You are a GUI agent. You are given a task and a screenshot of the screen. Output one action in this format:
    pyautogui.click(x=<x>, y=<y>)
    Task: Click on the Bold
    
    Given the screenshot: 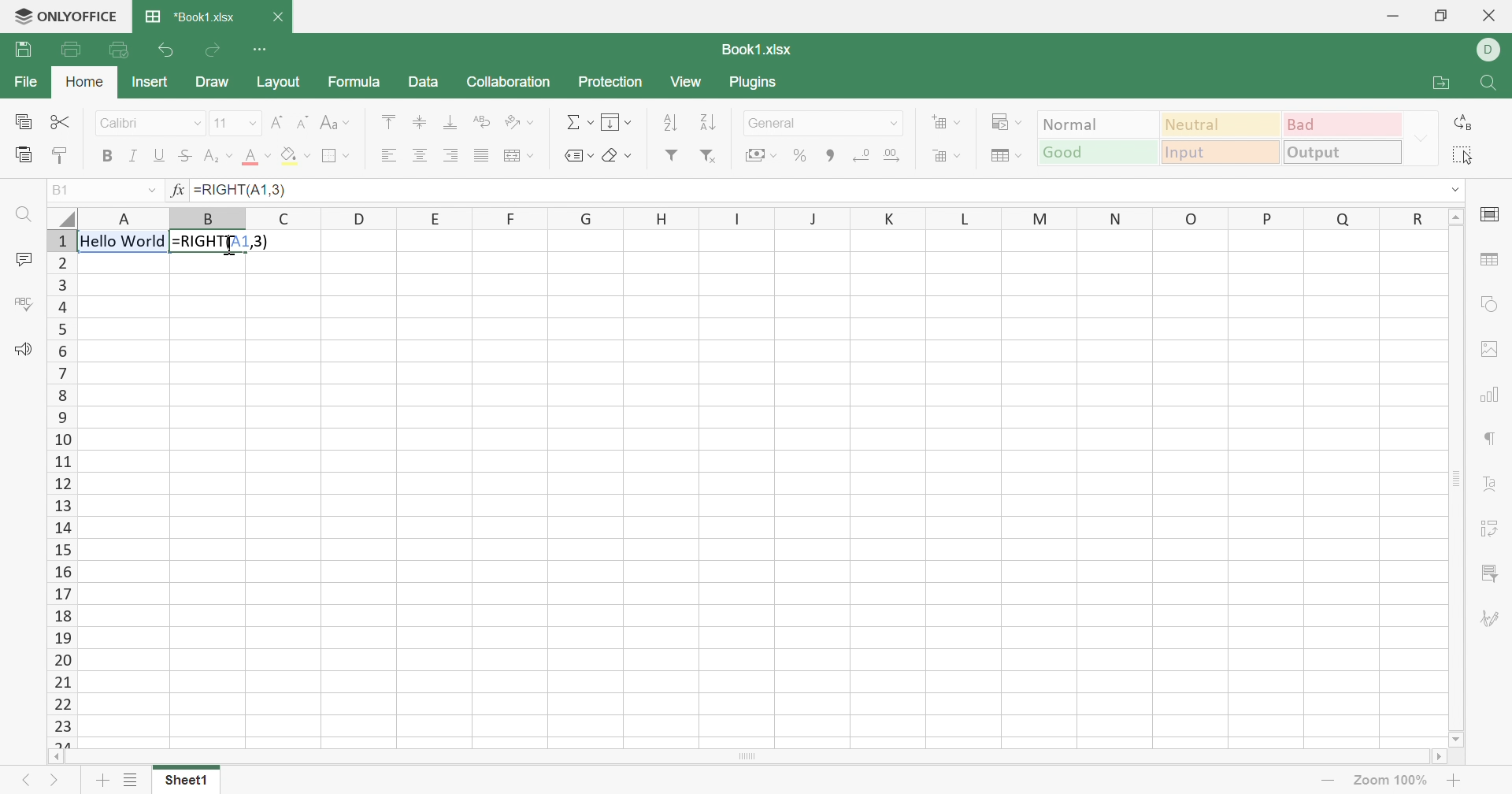 What is the action you would take?
    pyautogui.click(x=109, y=156)
    